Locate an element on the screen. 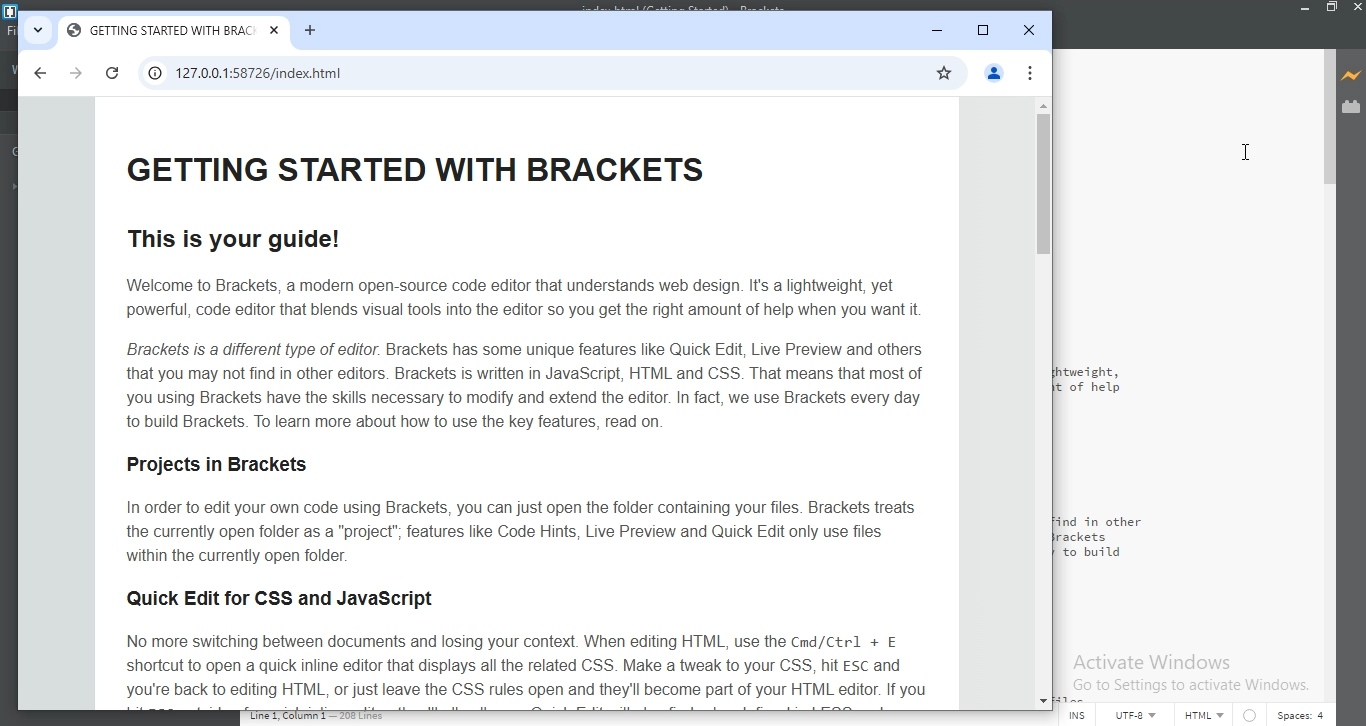 This screenshot has height=726, width=1366. scroll bar is located at coordinates (1041, 402).